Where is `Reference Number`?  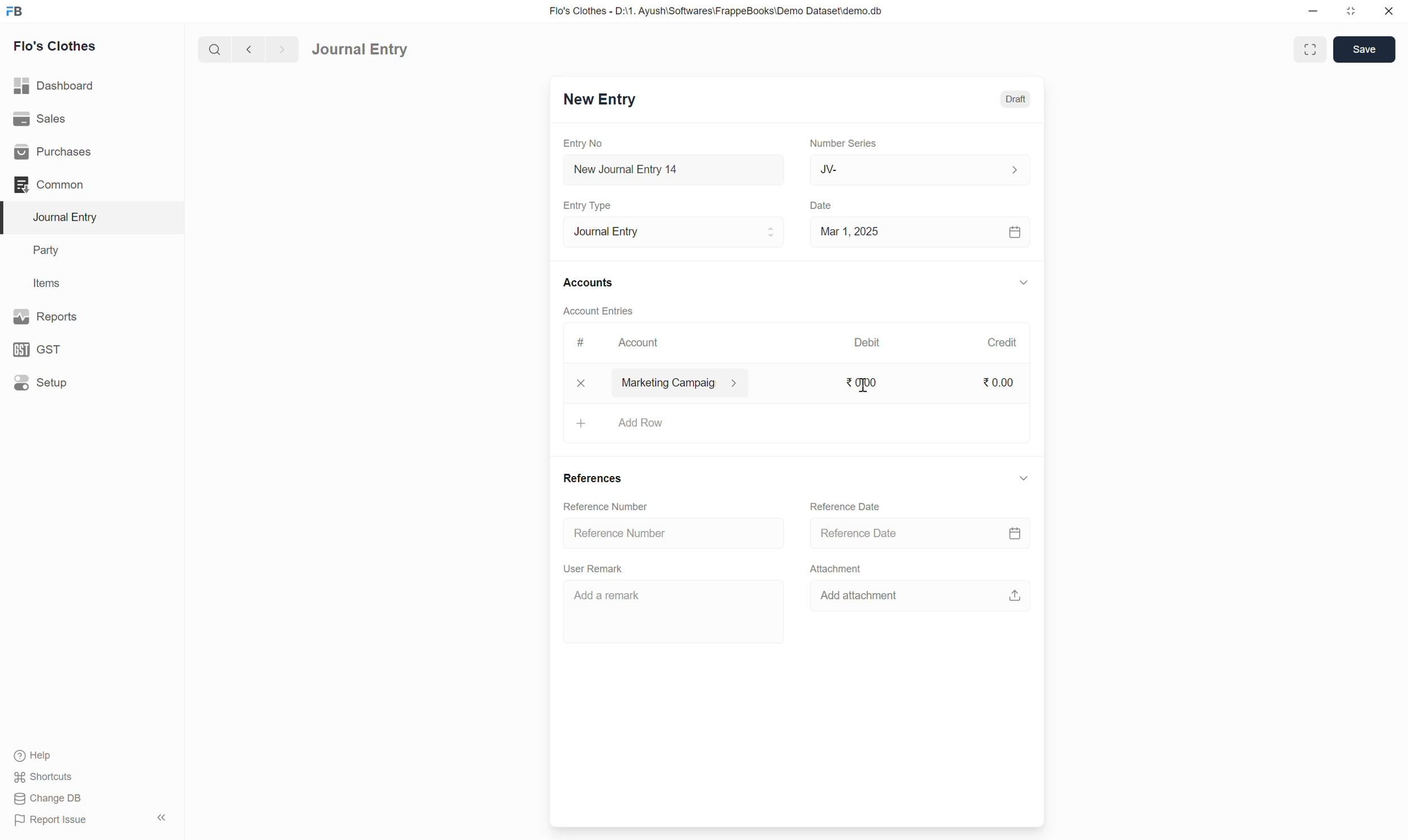
Reference Number is located at coordinates (620, 532).